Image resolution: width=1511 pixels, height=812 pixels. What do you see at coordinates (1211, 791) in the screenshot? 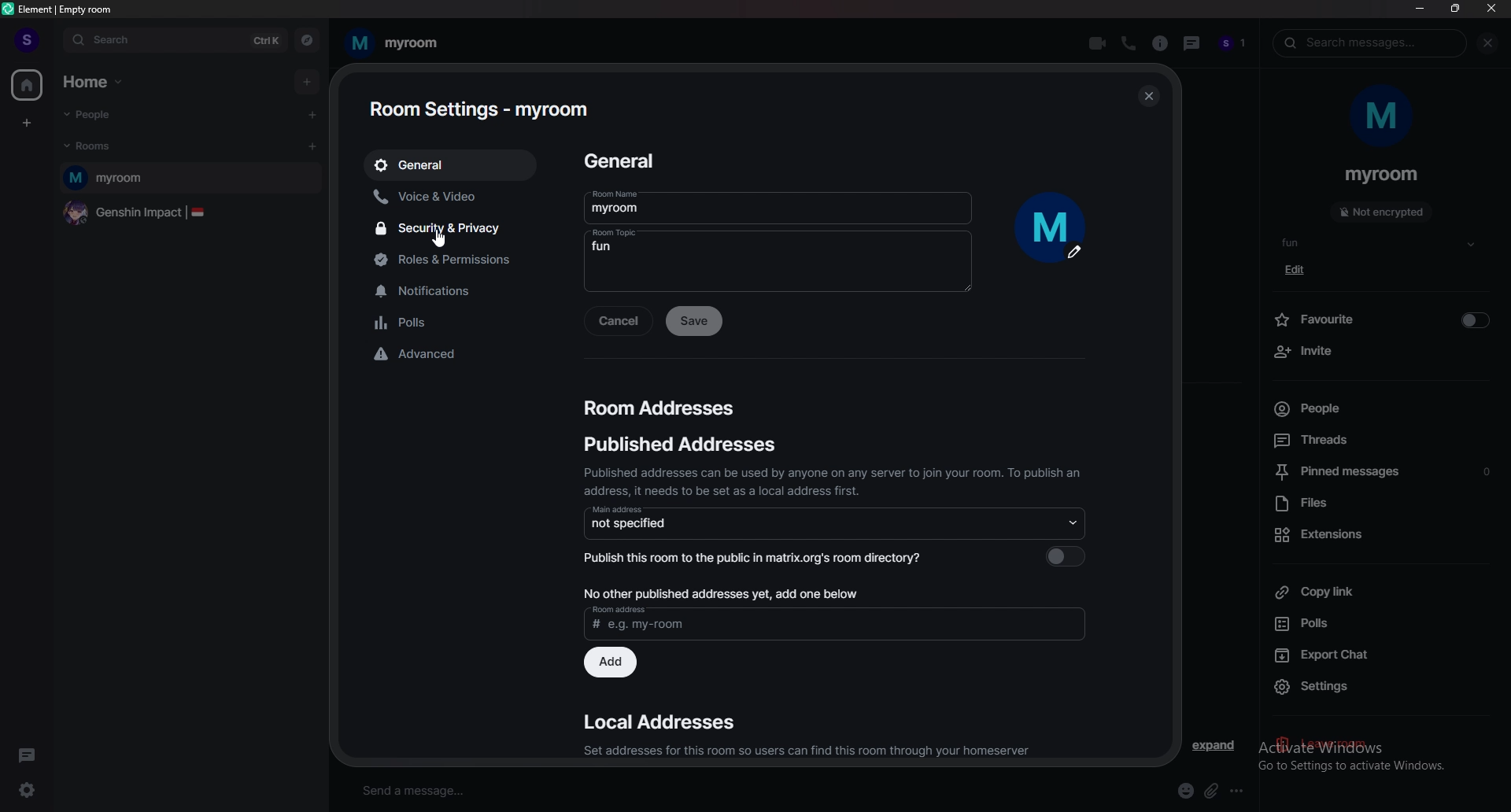
I see `attach` at bounding box center [1211, 791].